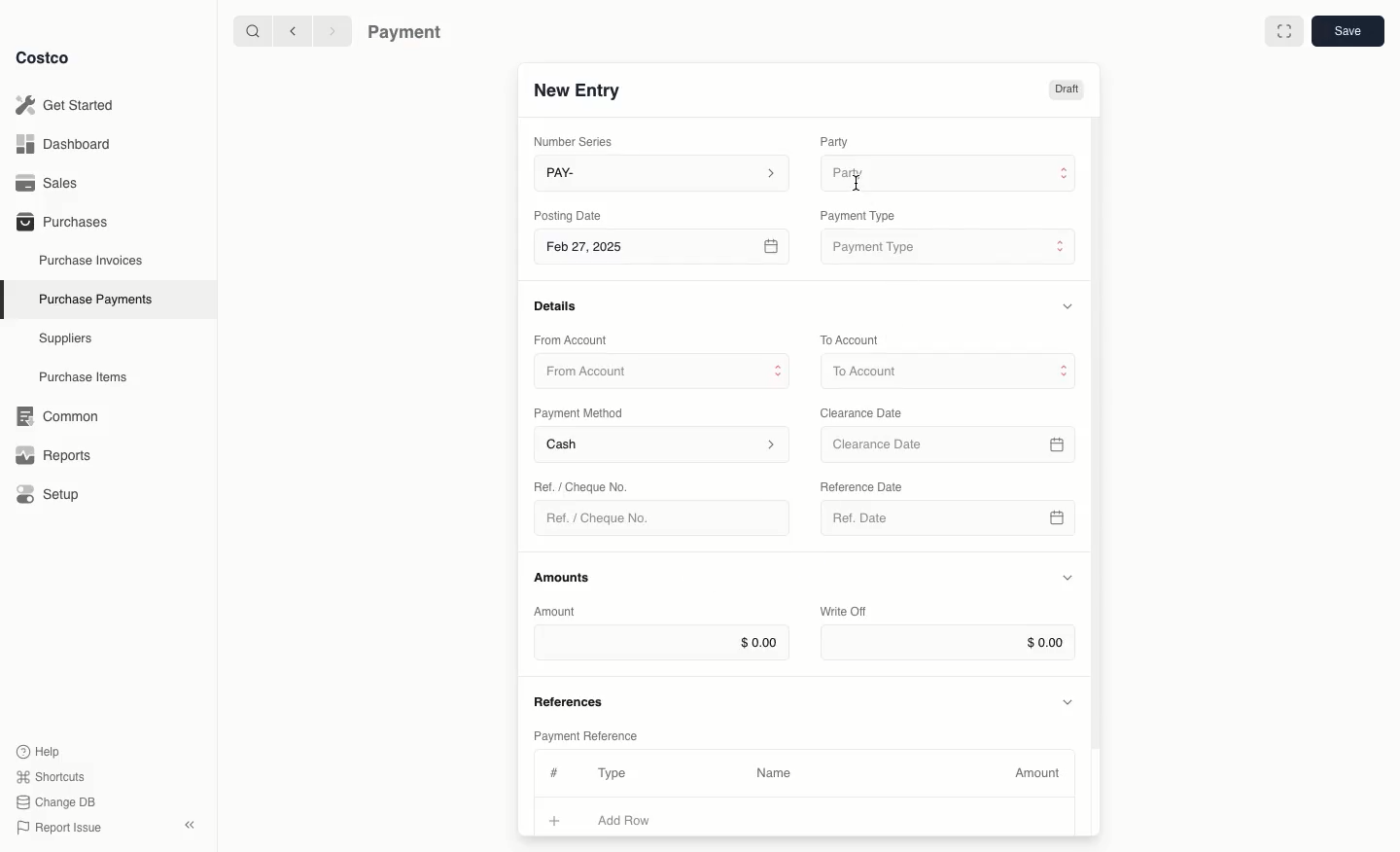  I want to click on Purchase Payments, so click(94, 298).